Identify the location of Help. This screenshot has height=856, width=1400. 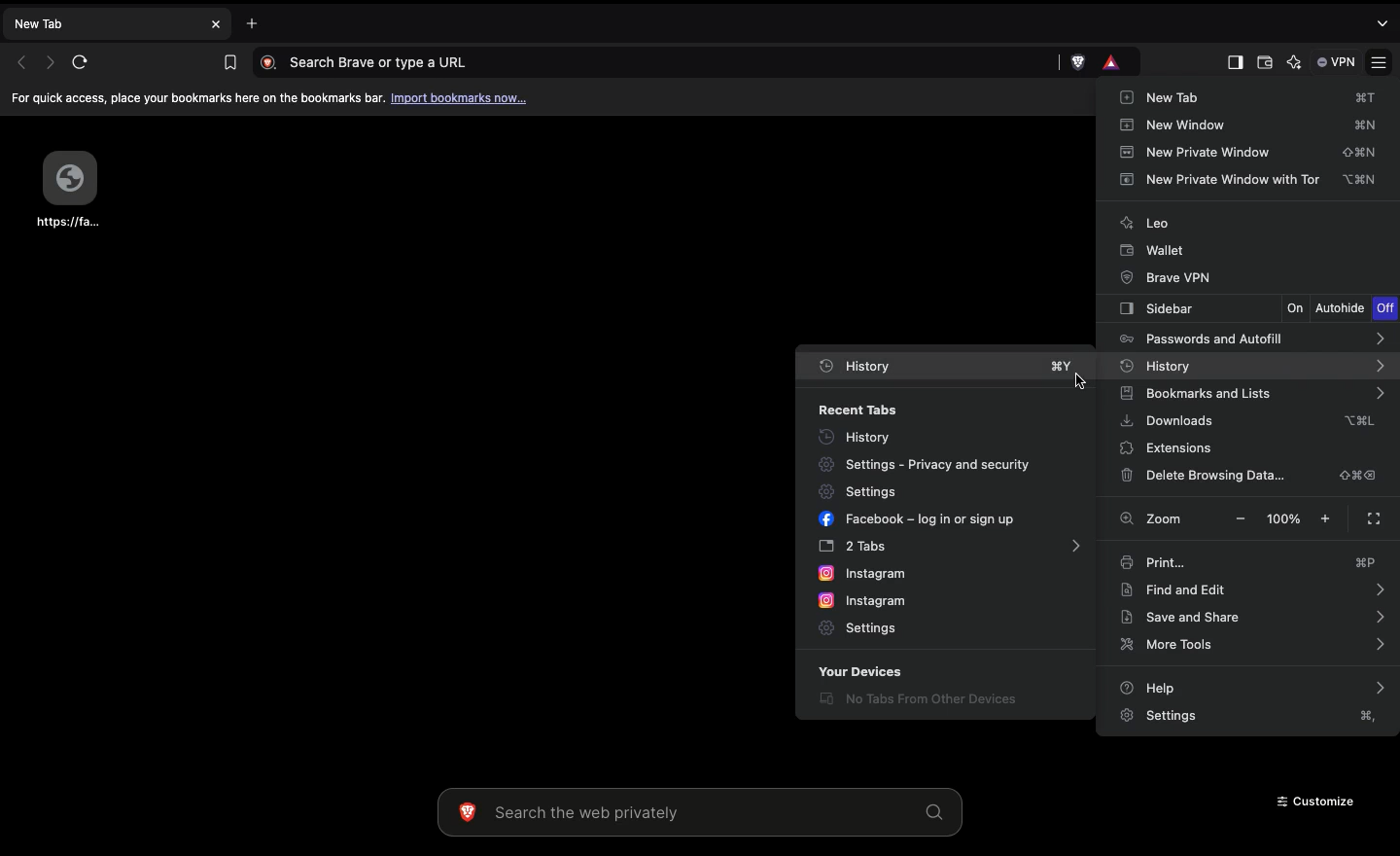
(1250, 684).